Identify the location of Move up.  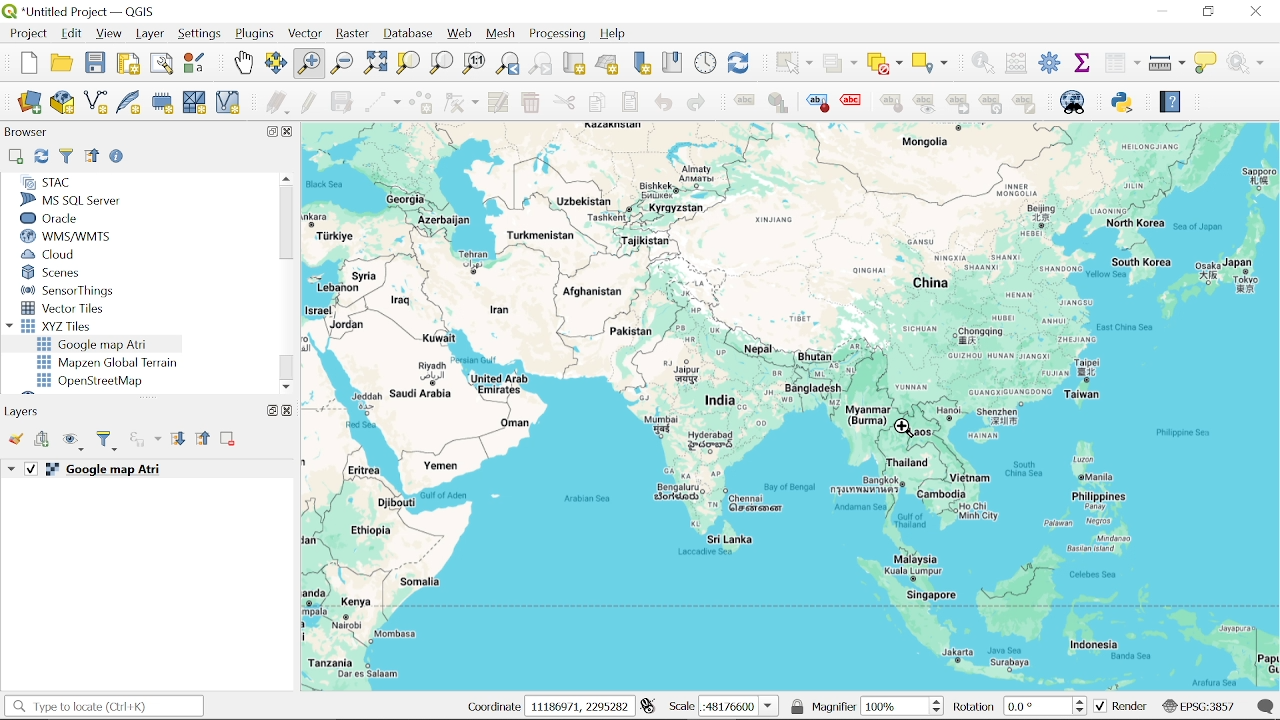
(284, 178).